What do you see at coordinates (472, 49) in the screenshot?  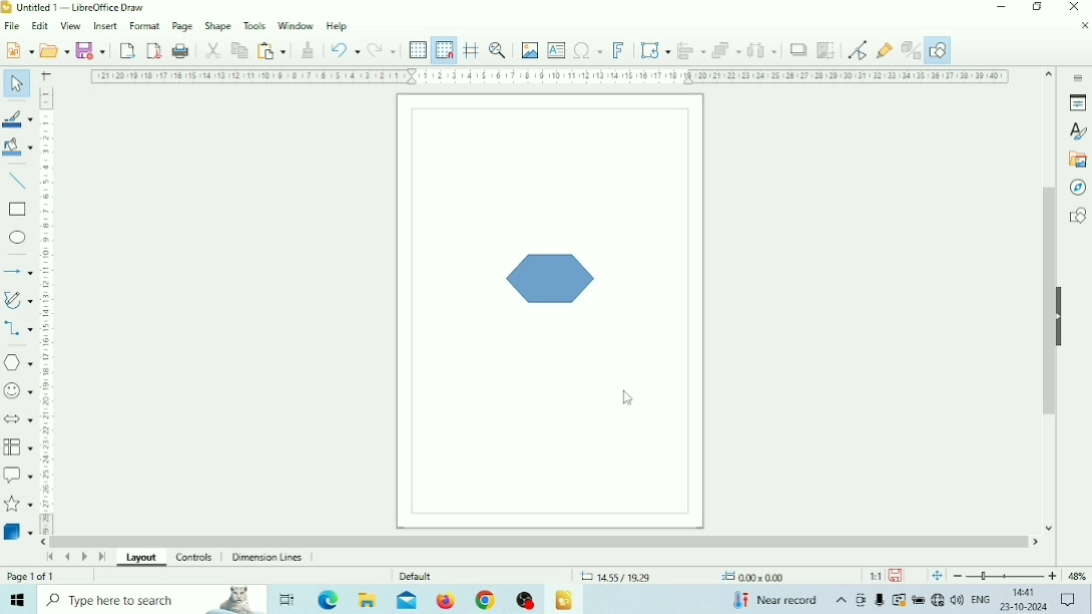 I see `Helplines While Moving` at bounding box center [472, 49].